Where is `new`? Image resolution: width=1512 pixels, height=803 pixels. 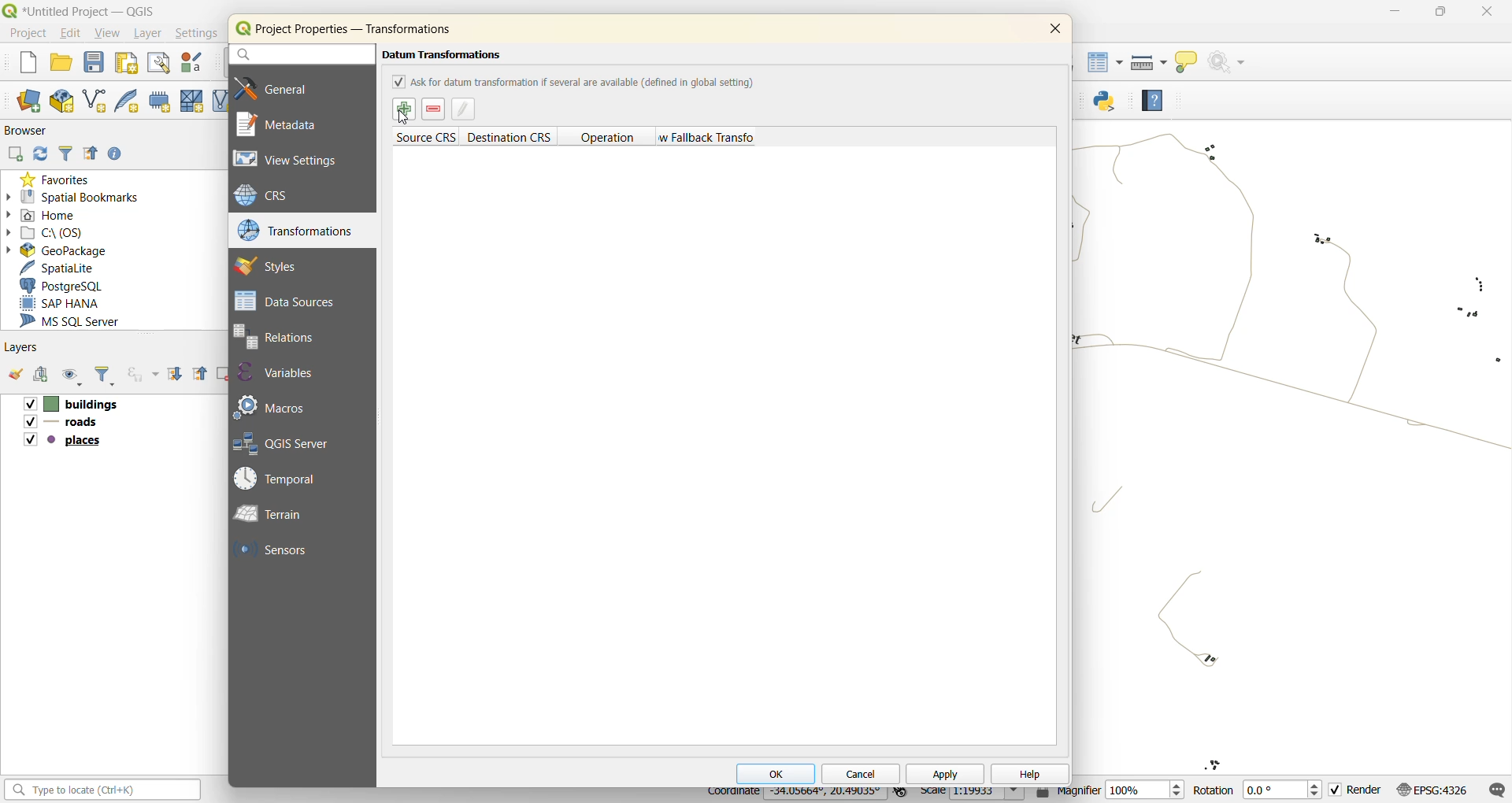 new is located at coordinates (25, 65).